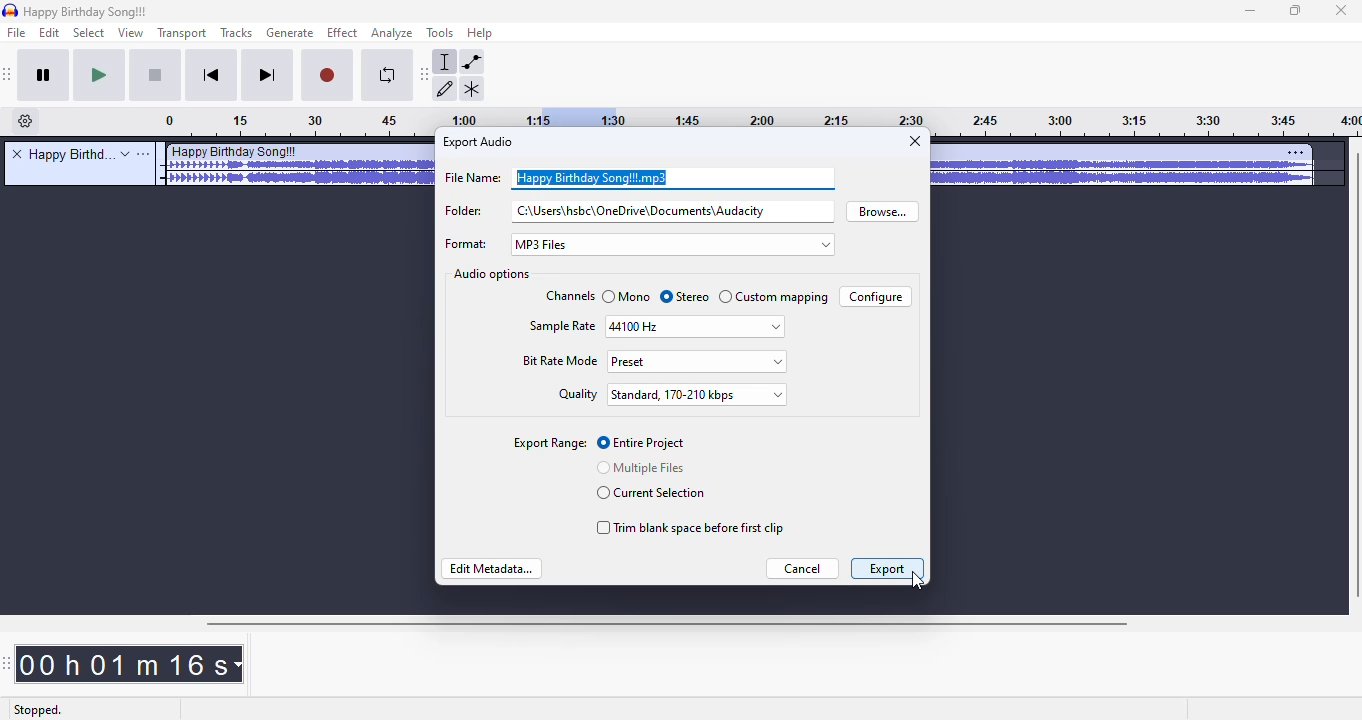  I want to click on help, so click(481, 32).